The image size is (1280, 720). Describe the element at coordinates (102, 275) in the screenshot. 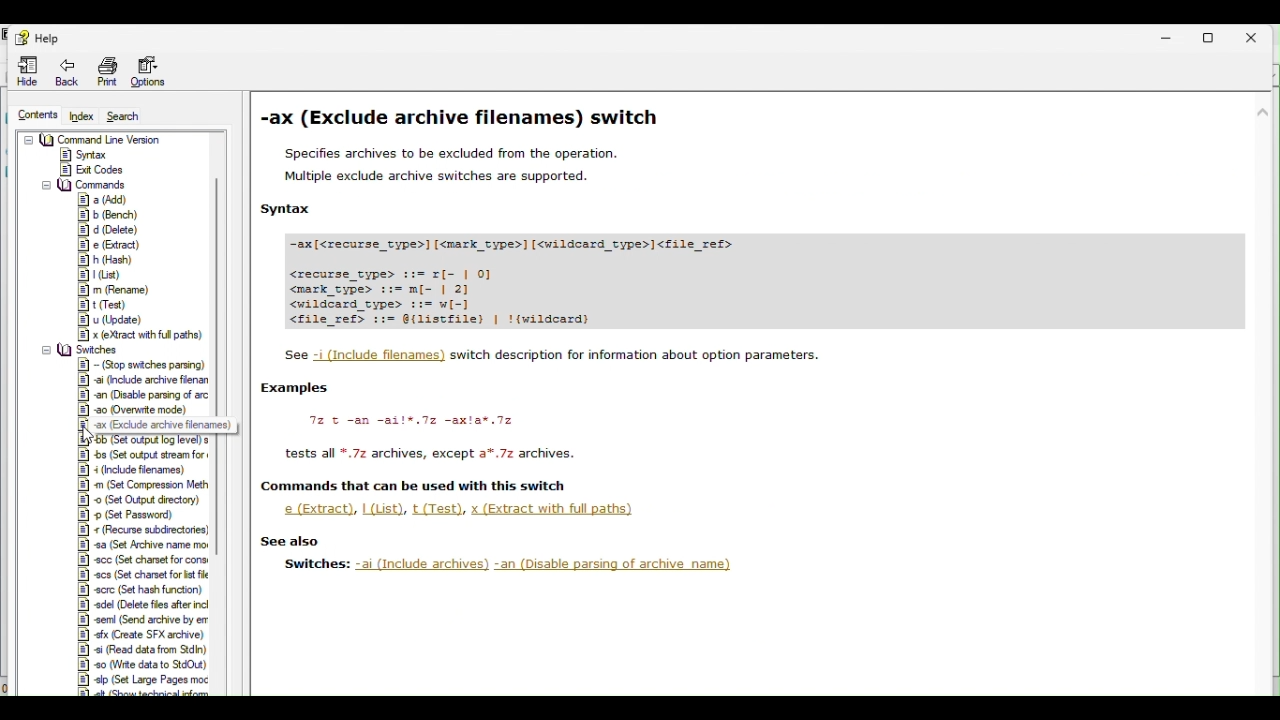

I see `Fst)` at that location.